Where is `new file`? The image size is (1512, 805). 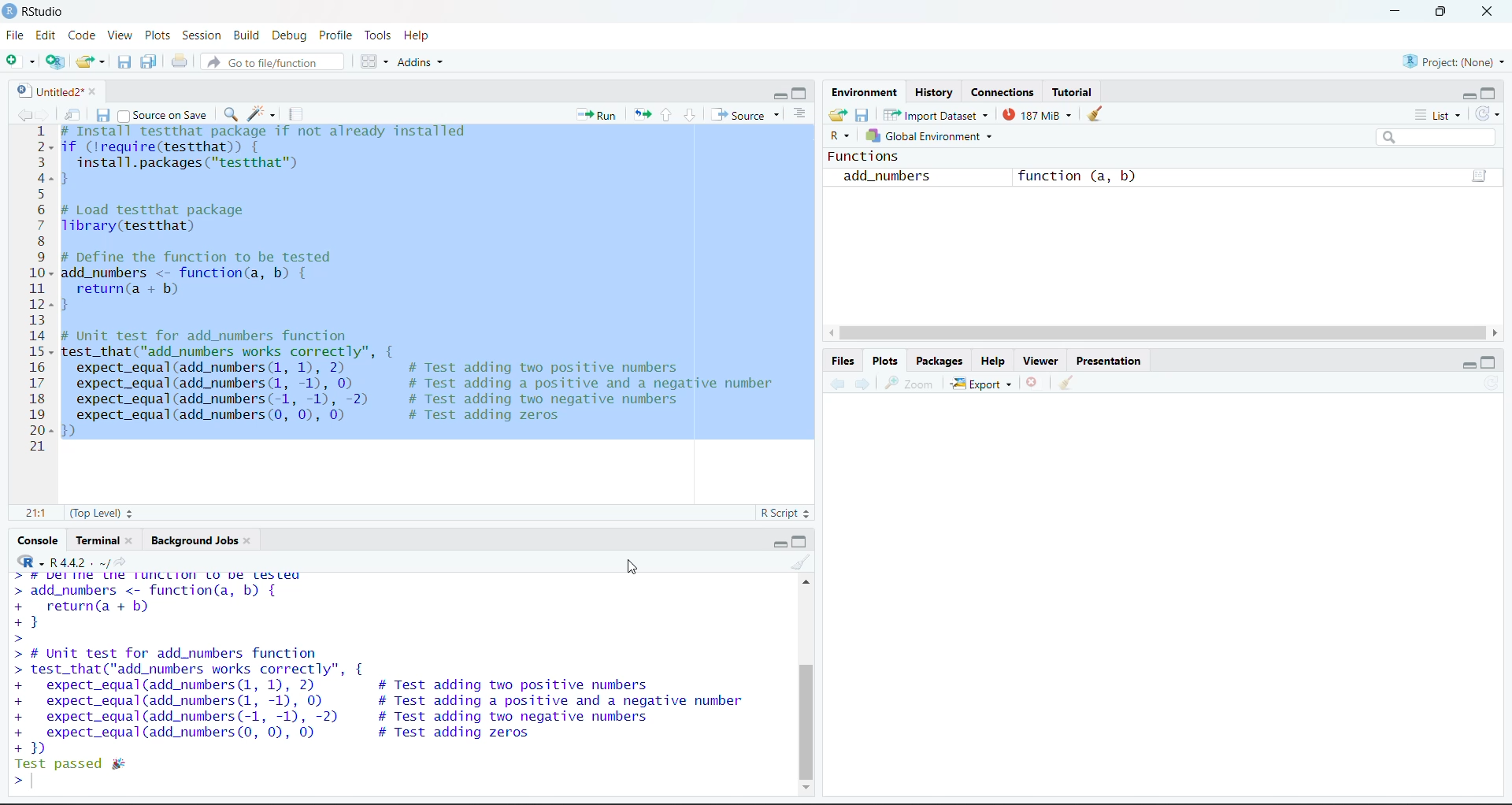 new file is located at coordinates (20, 61).